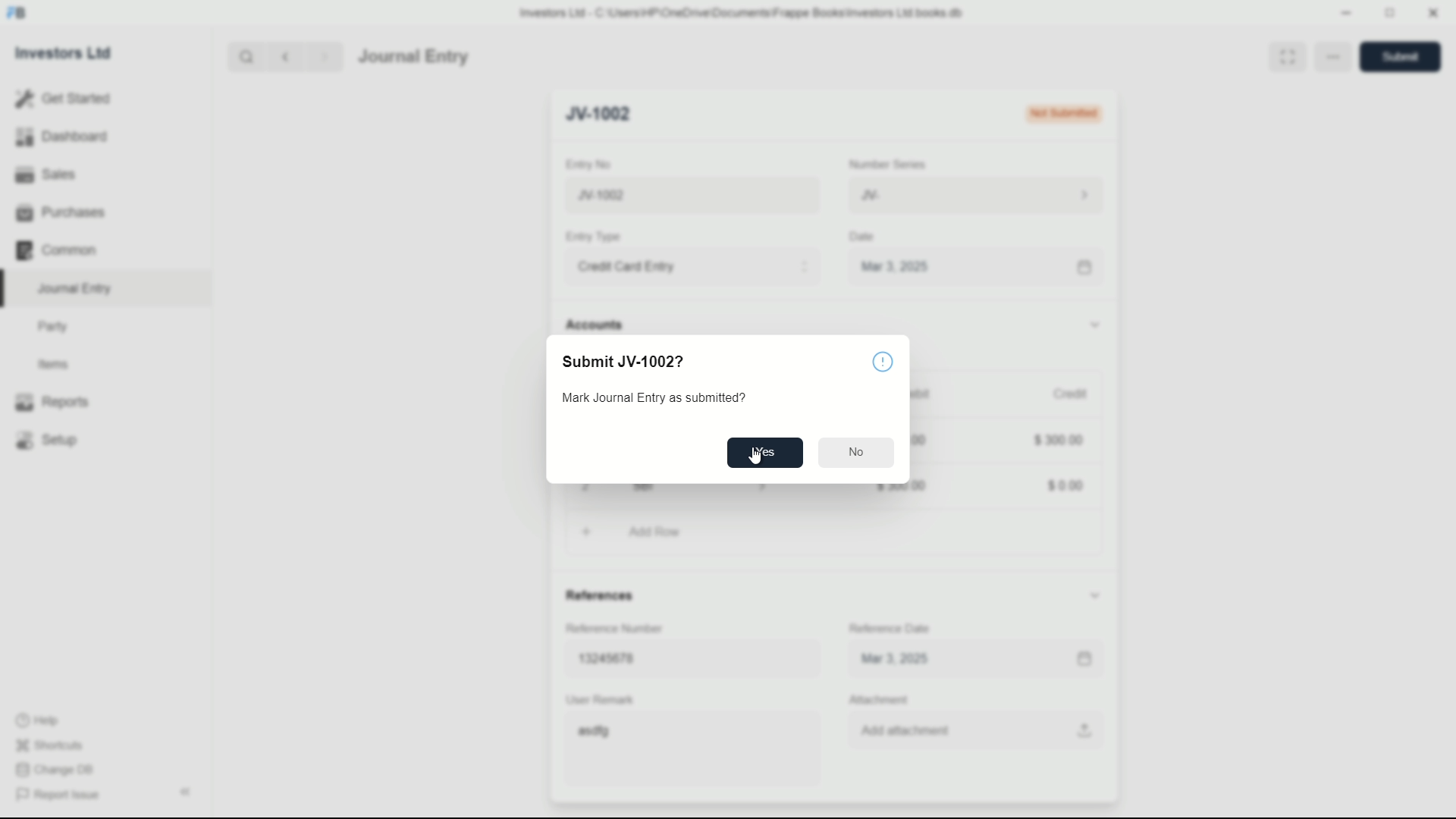 This screenshot has width=1456, height=819. What do you see at coordinates (755, 458) in the screenshot?
I see `cursor` at bounding box center [755, 458].